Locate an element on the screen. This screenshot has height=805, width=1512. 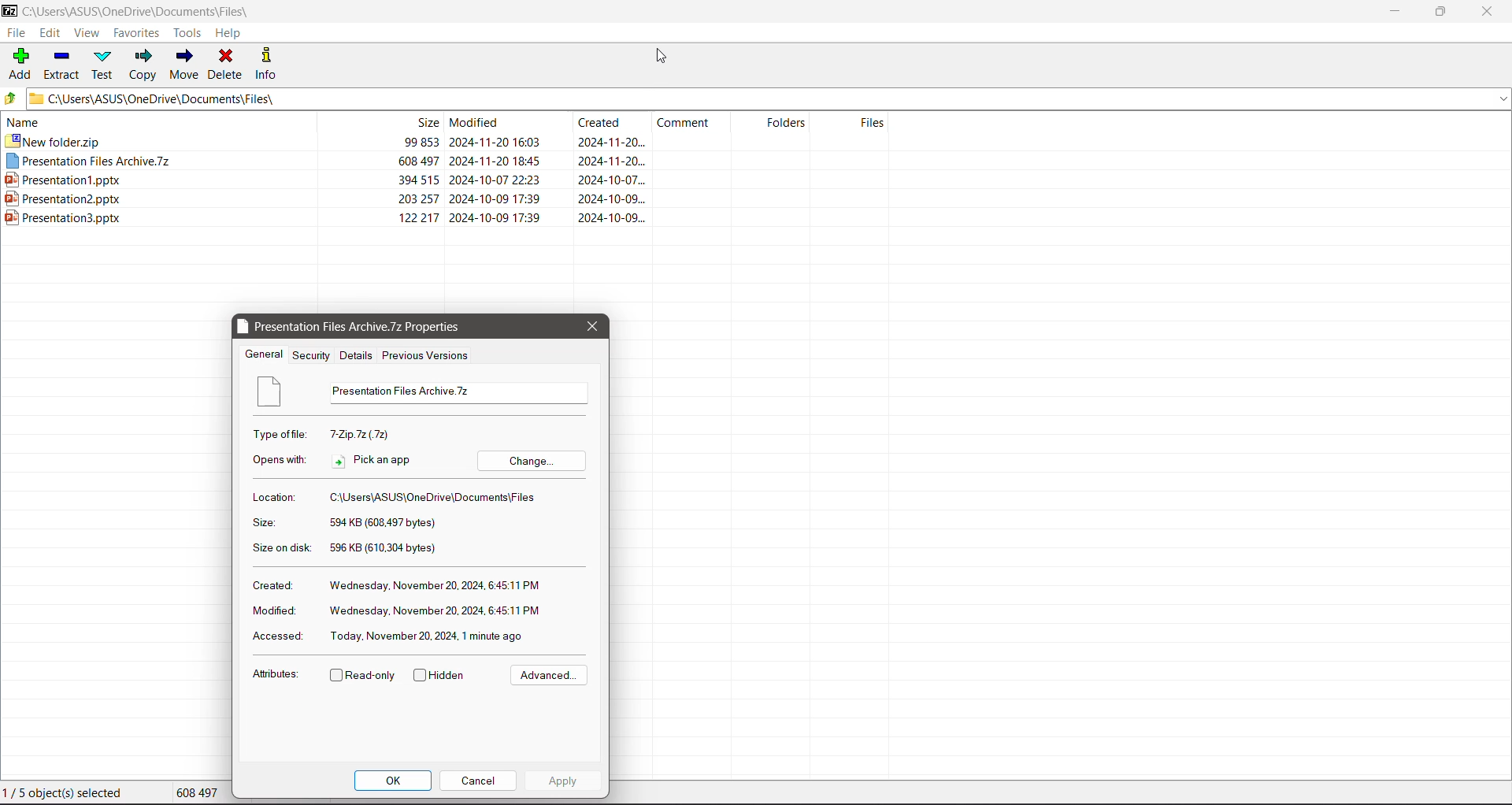
Size on disk is located at coordinates (284, 547).